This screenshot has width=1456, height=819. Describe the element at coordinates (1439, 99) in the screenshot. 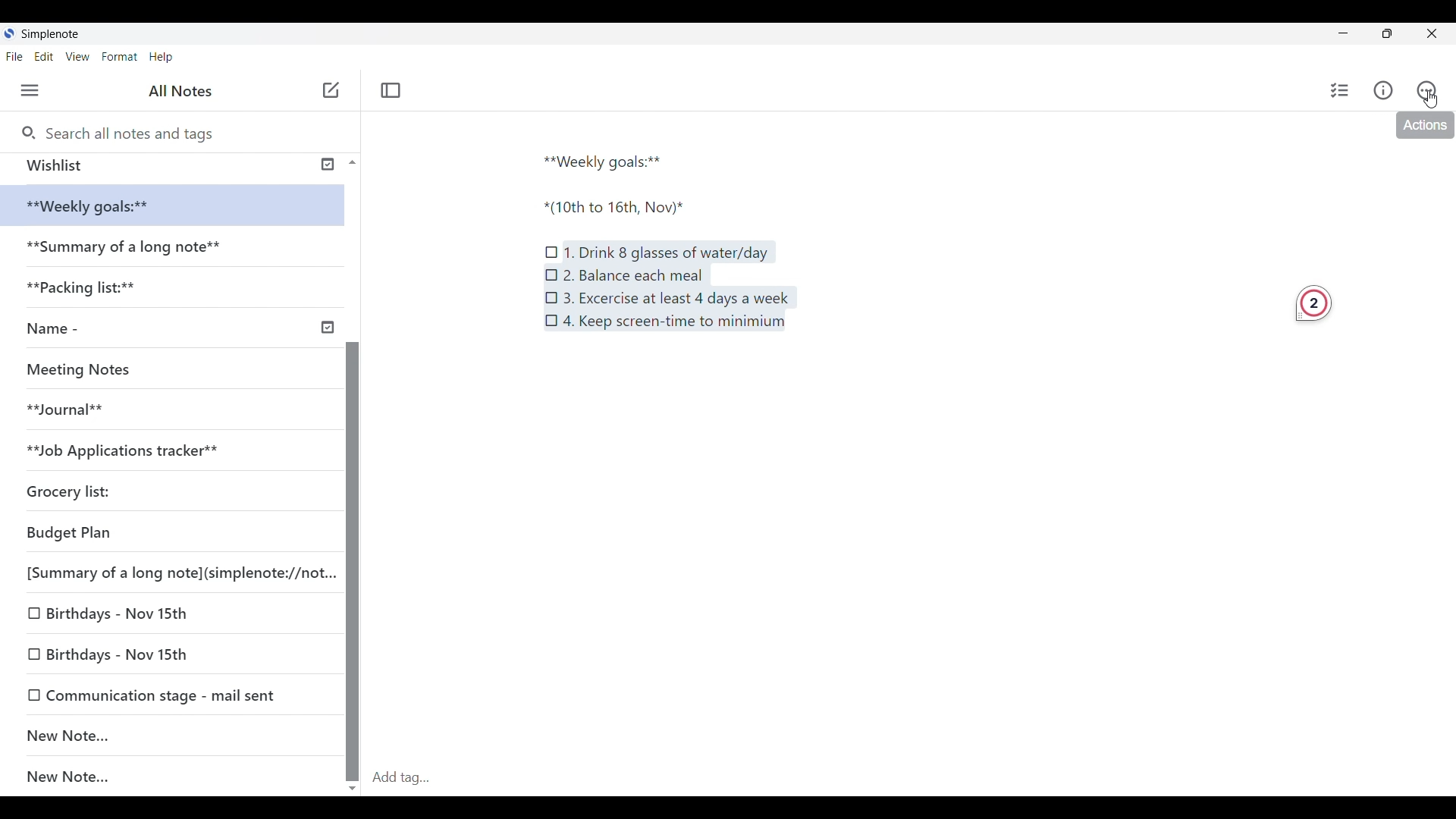

I see `cursor` at that location.